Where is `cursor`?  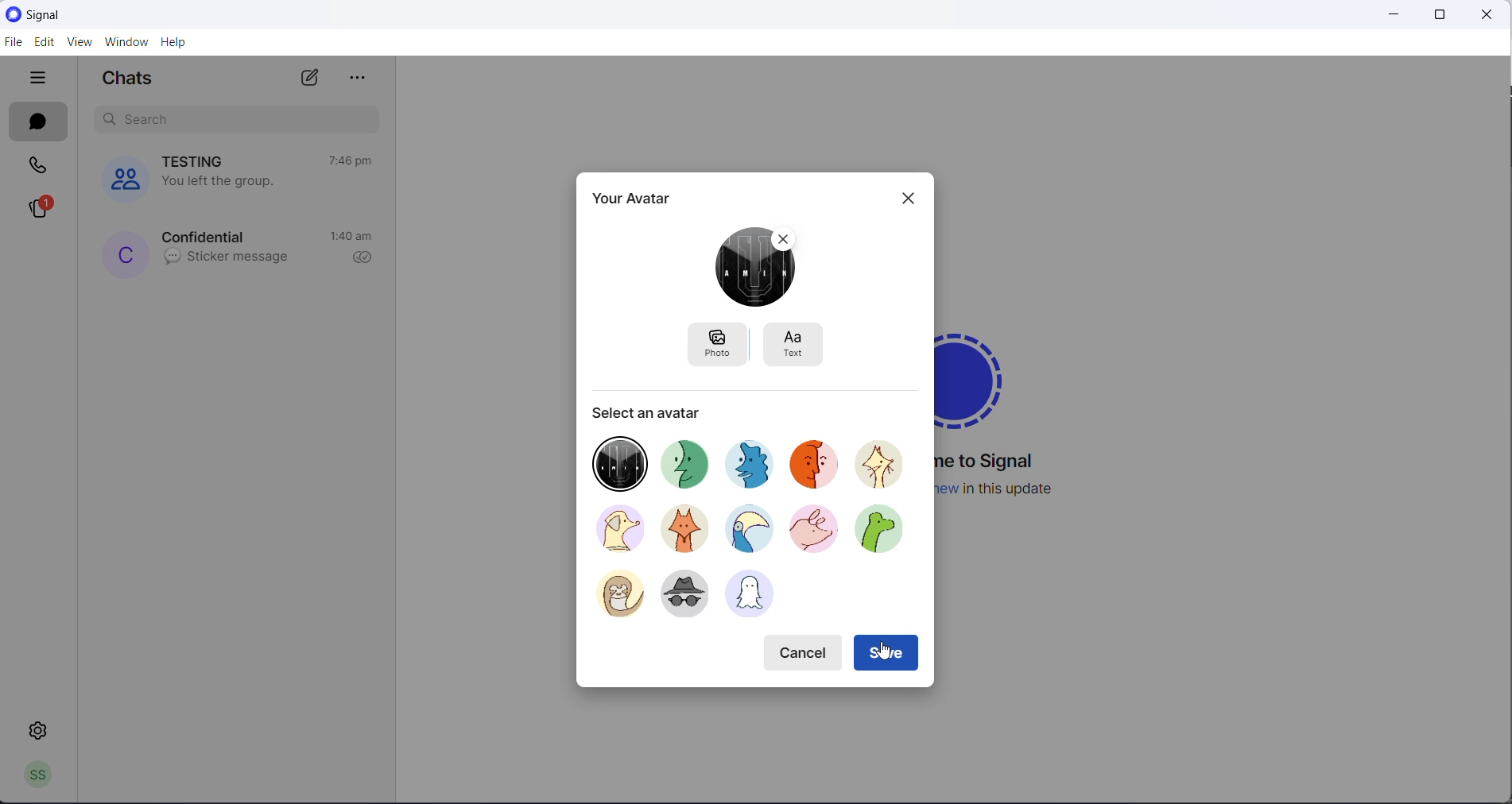 cursor is located at coordinates (884, 651).